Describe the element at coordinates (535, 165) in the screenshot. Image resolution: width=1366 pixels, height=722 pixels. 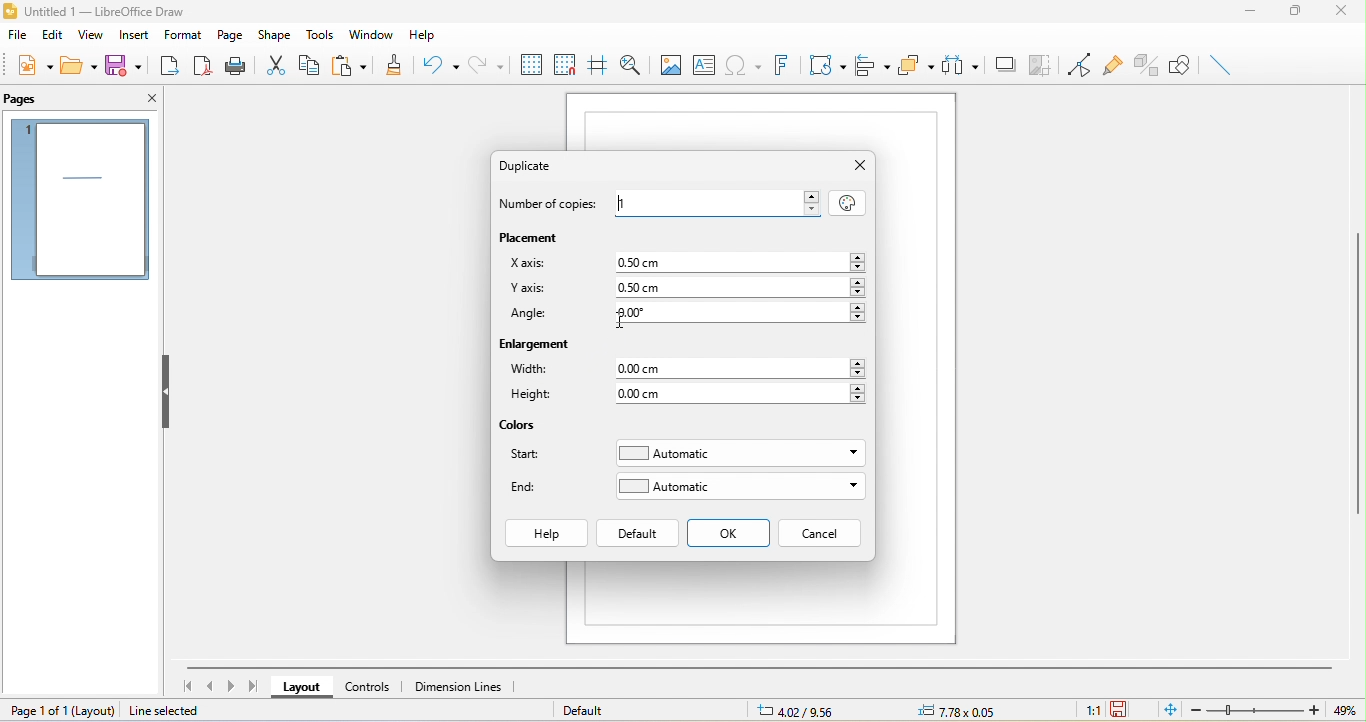
I see `duplicate` at that location.